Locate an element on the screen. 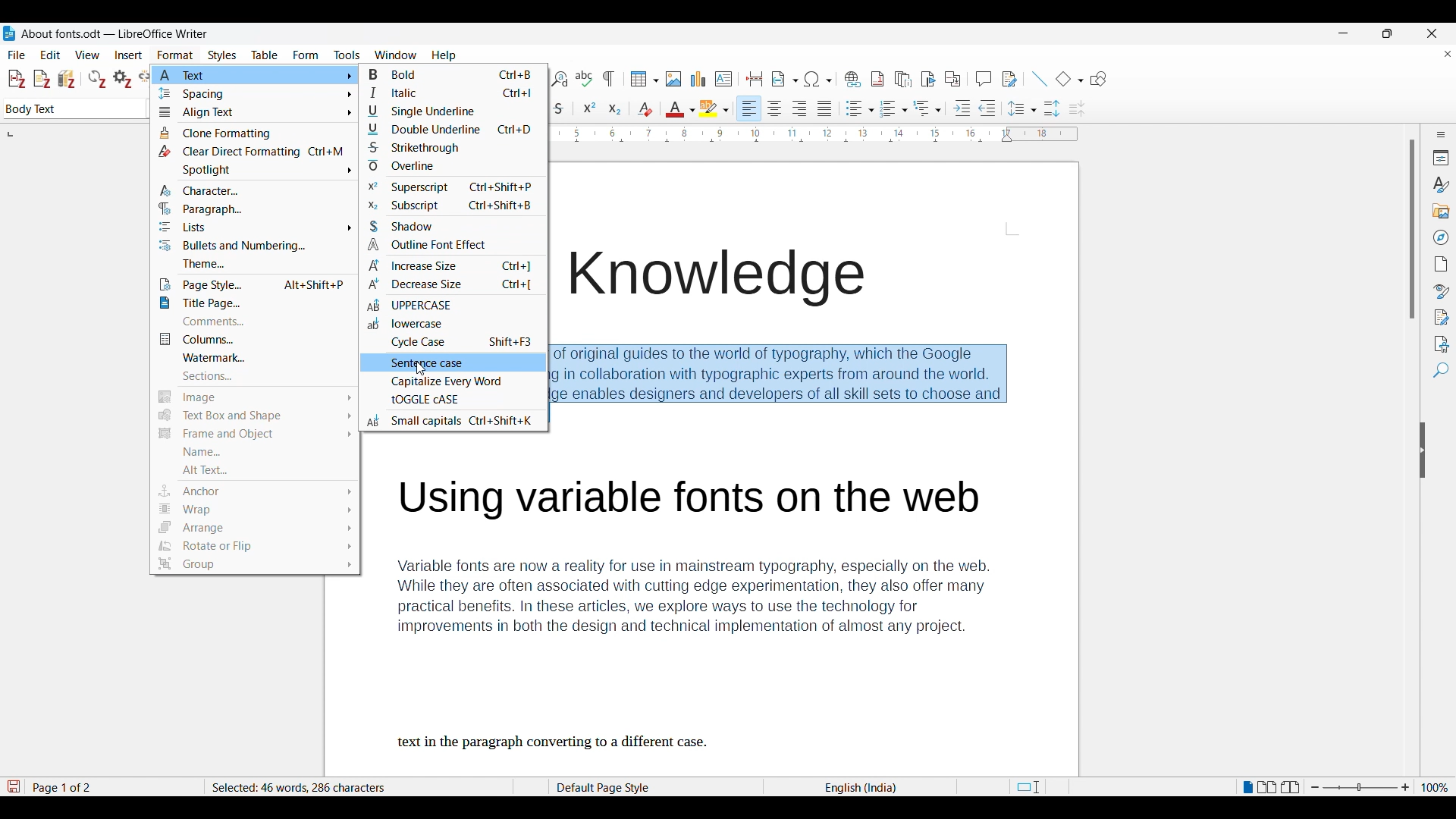 The width and height of the screenshot is (1456, 819). Set document preferences is located at coordinates (122, 79).